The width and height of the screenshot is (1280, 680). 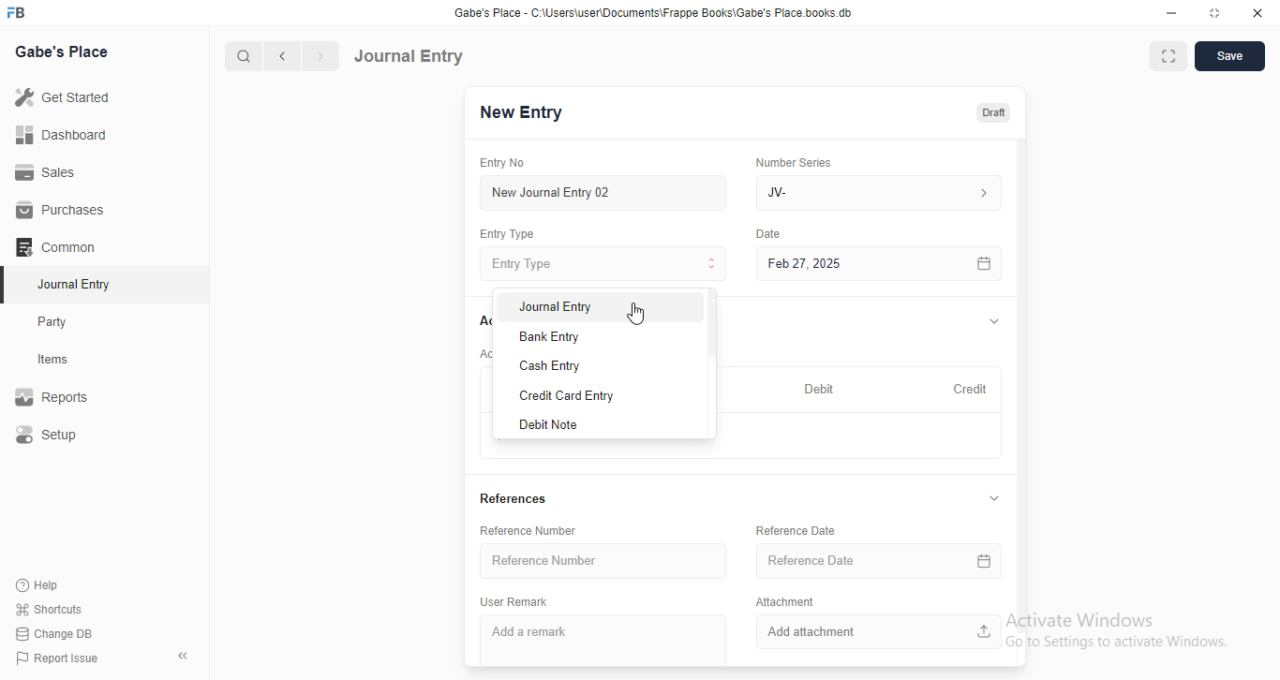 I want to click on FB, so click(x=19, y=11).